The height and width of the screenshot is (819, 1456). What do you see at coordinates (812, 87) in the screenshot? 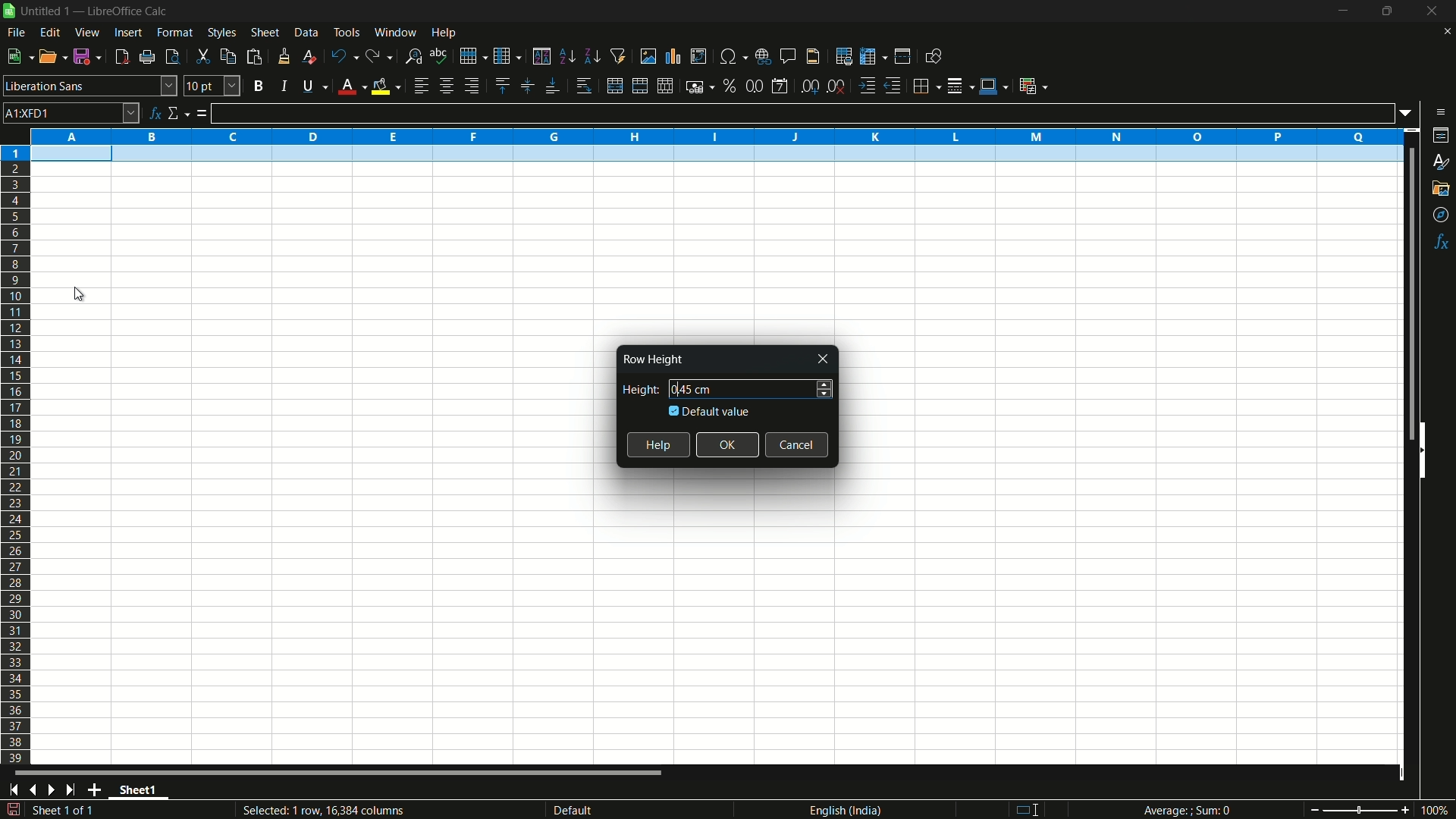
I see `add decimal place` at bounding box center [812, 87].